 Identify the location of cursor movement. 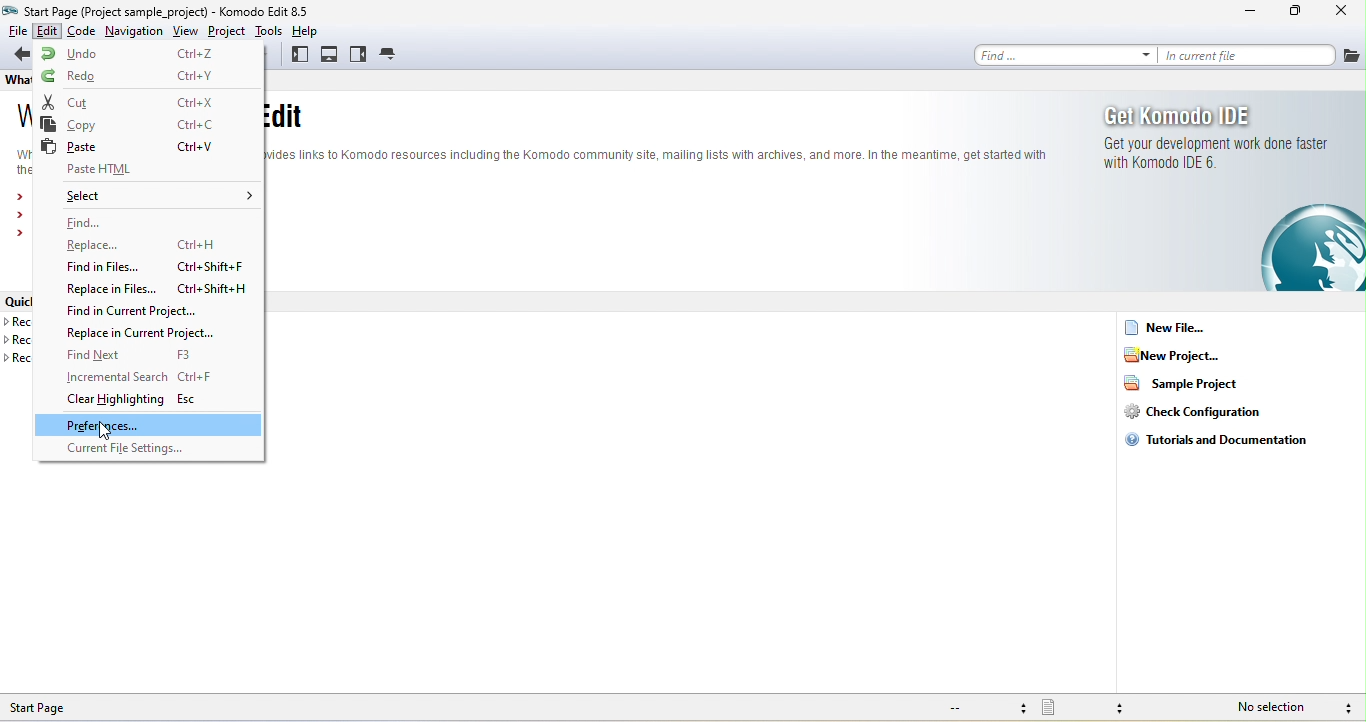
(105, 431).